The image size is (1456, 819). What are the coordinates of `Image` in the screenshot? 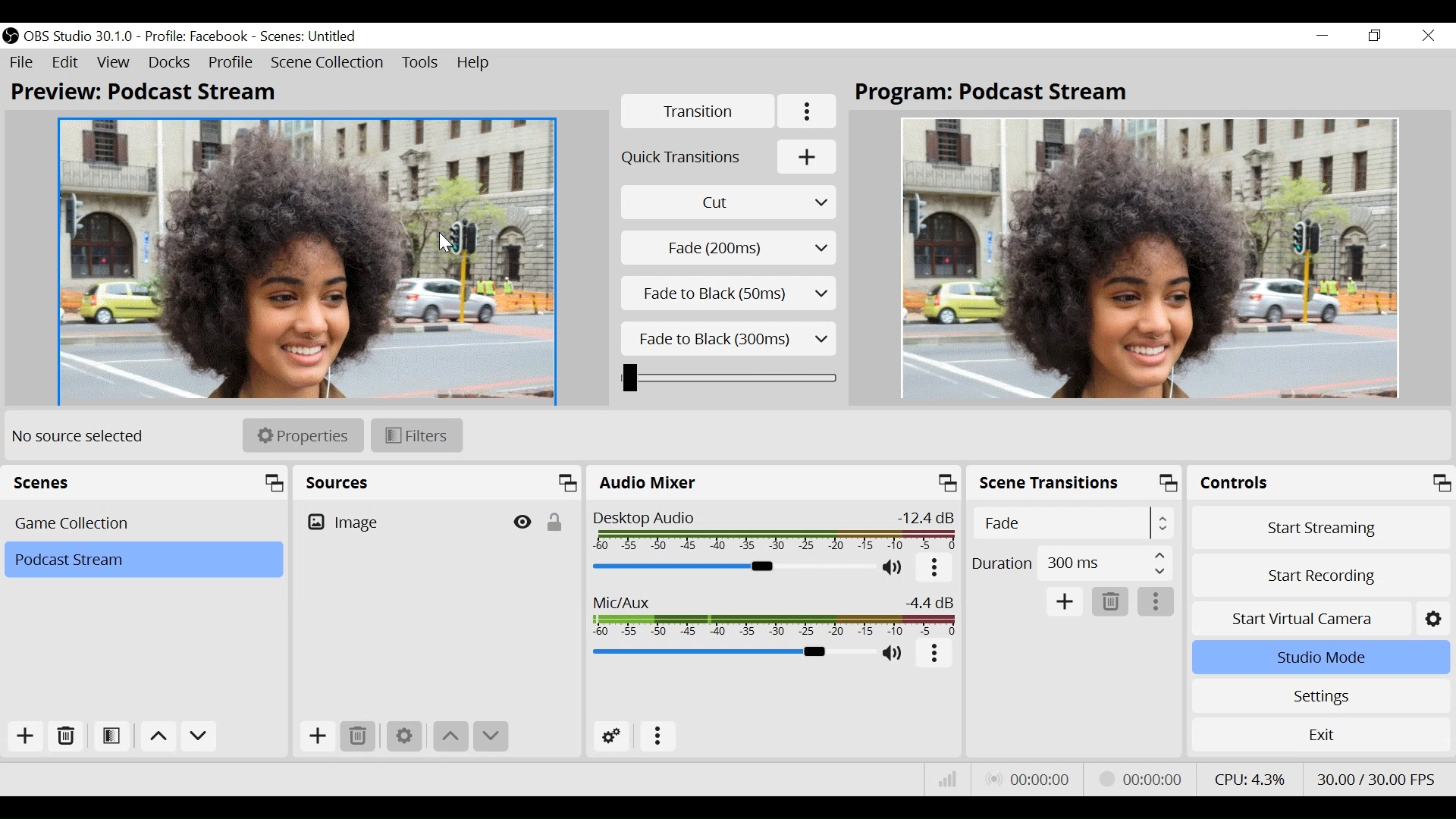 It's located at (402, 525).